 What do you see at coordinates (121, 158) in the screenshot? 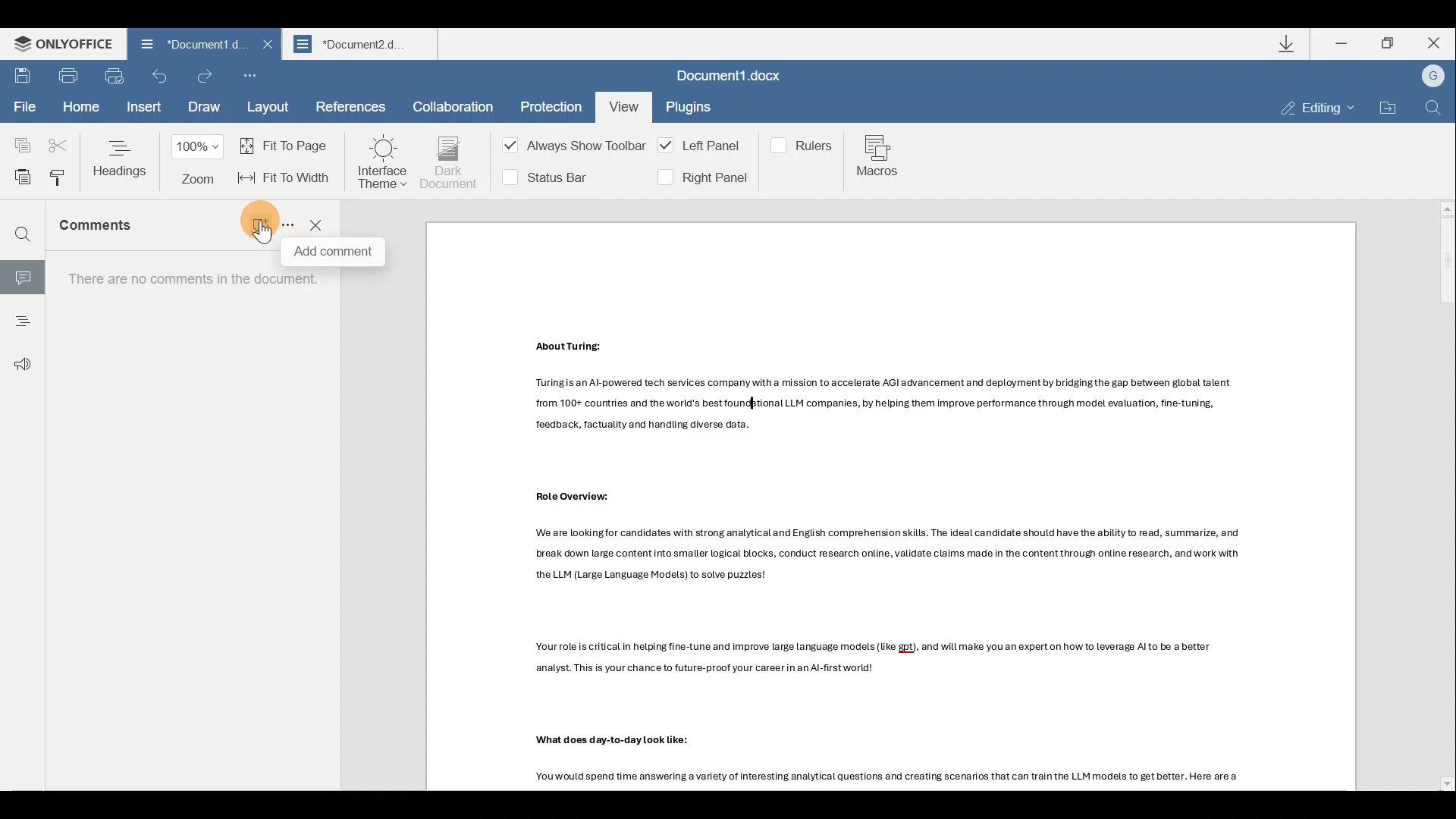
I see `Headings` at bounding box center [121, 158].